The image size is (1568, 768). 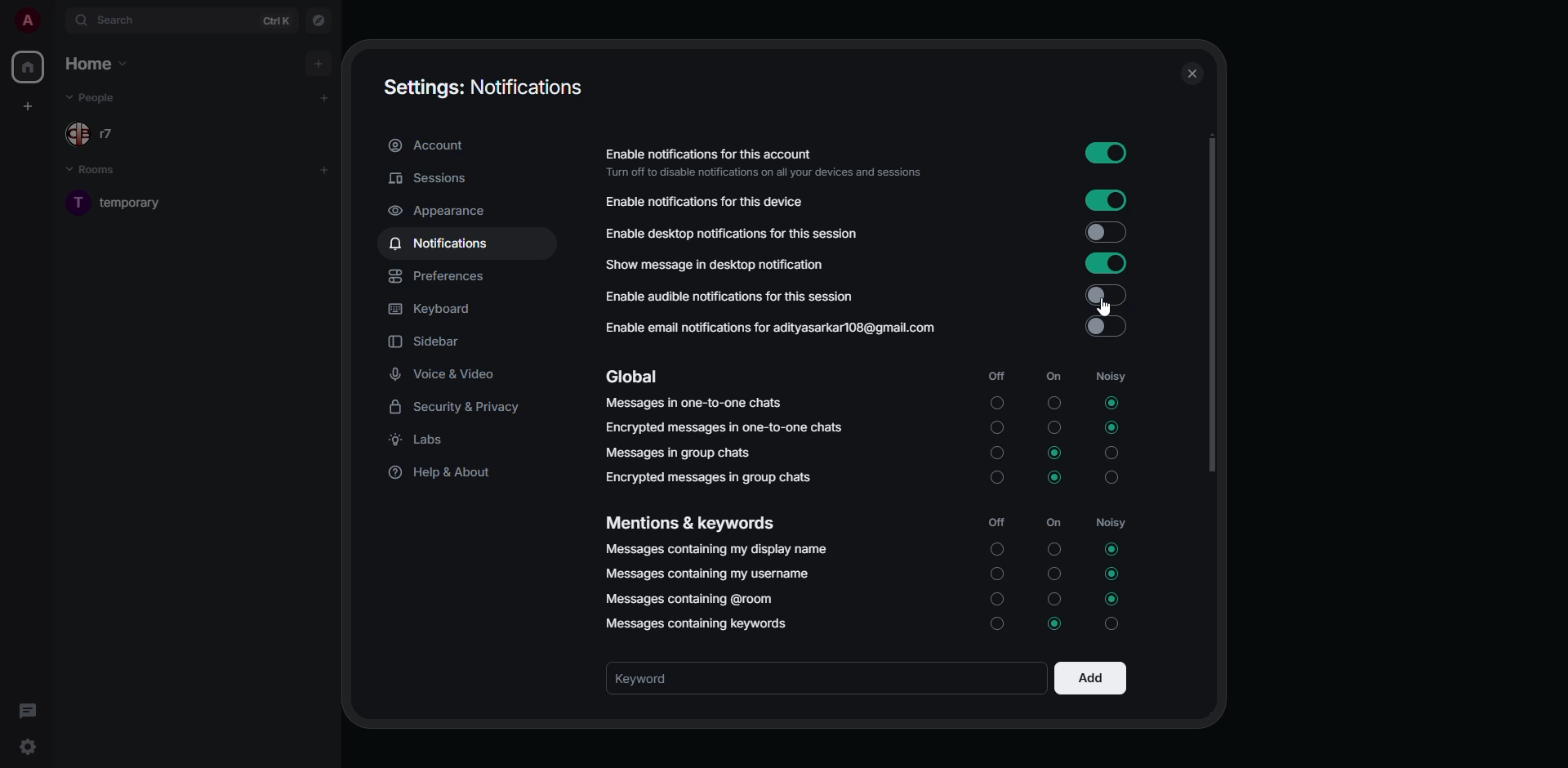 I want to click on show message in desktop notification, so click(x=715, y=263).